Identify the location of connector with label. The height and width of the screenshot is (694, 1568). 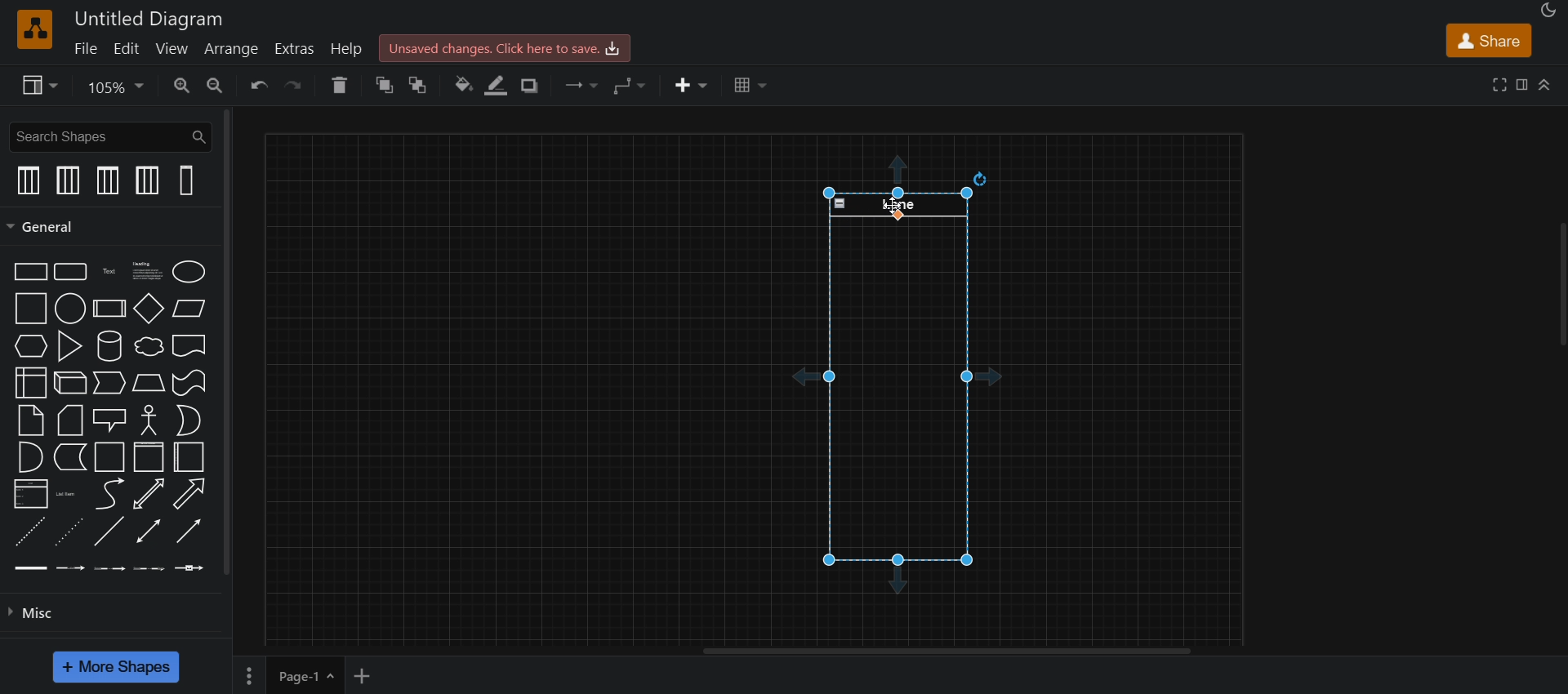
(72, 568).